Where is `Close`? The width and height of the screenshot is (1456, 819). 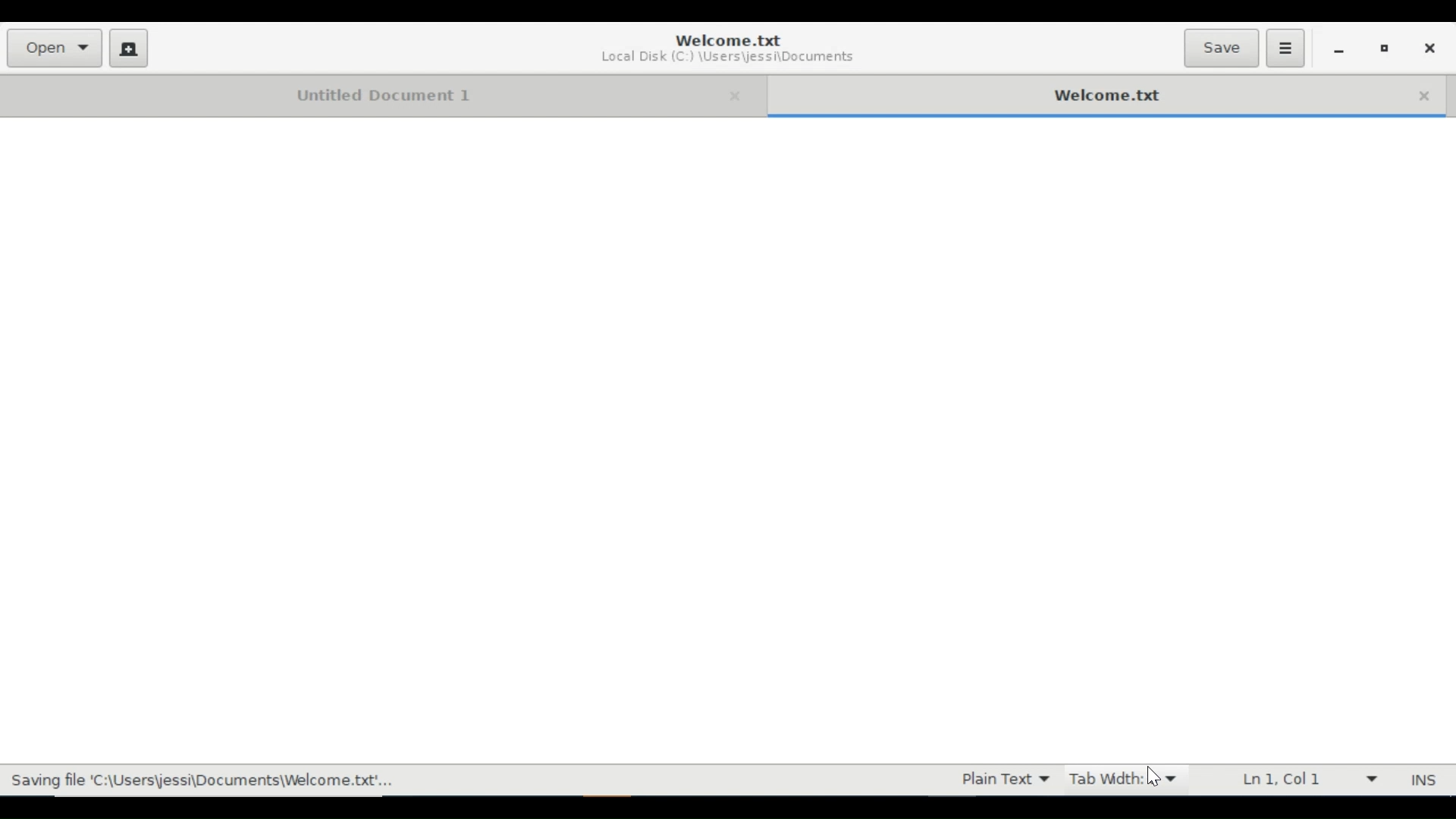
Close is located at coordinates (1434, 48).